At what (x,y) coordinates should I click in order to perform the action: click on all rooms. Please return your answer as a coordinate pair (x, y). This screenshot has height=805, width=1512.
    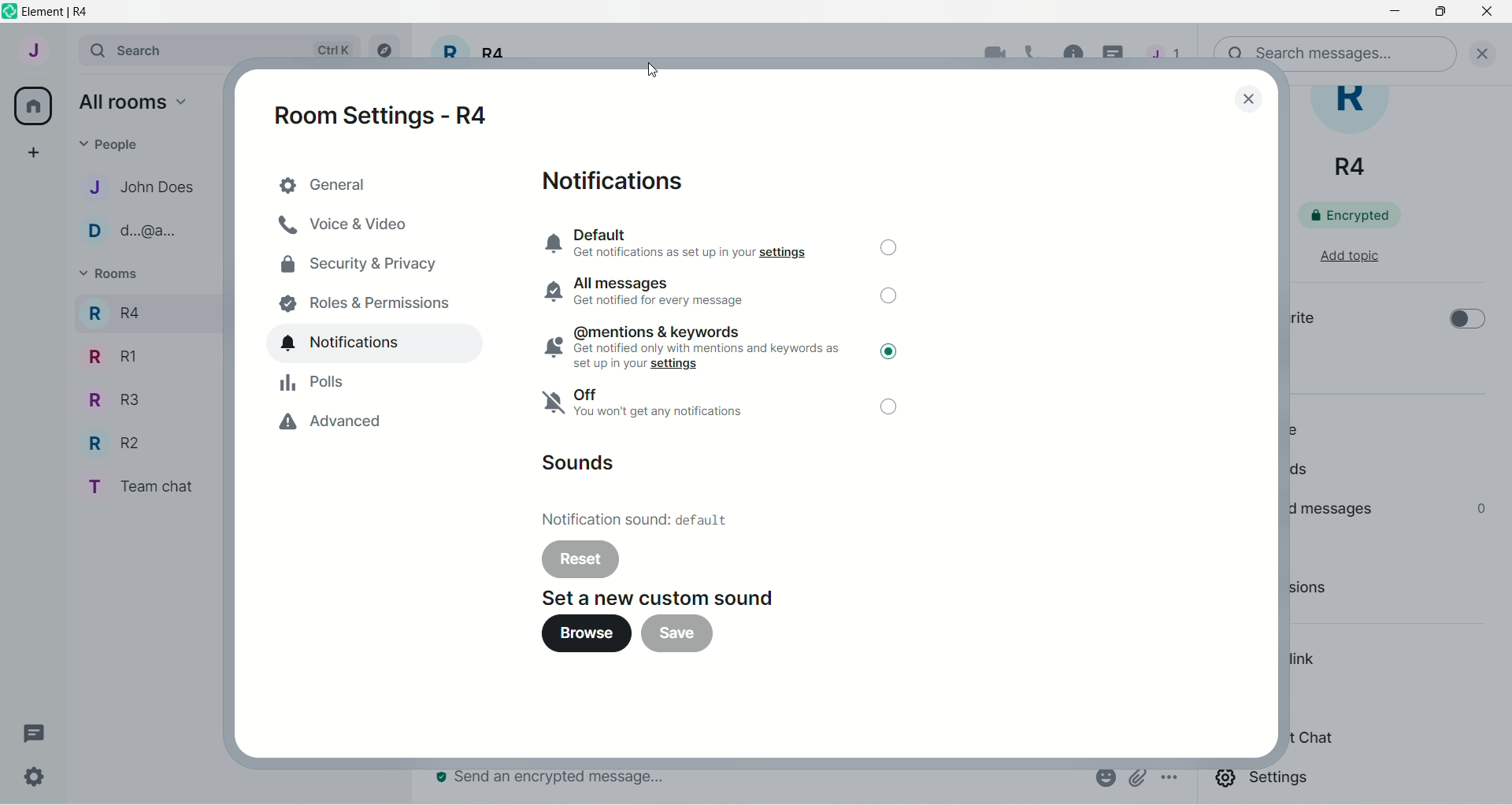
    Looking at the image, I should click on (132, 101).